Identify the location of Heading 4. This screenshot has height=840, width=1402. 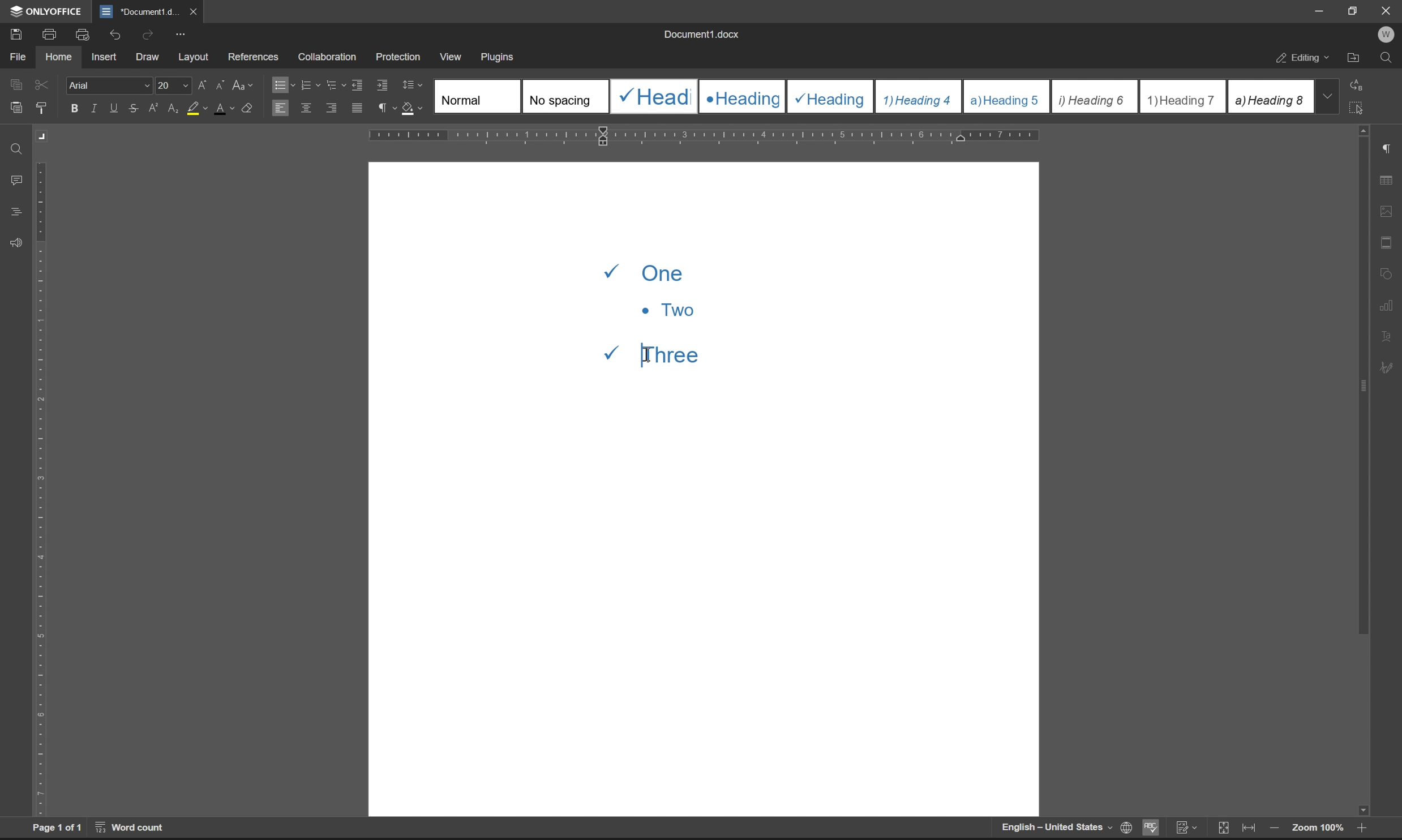
(919, 97).